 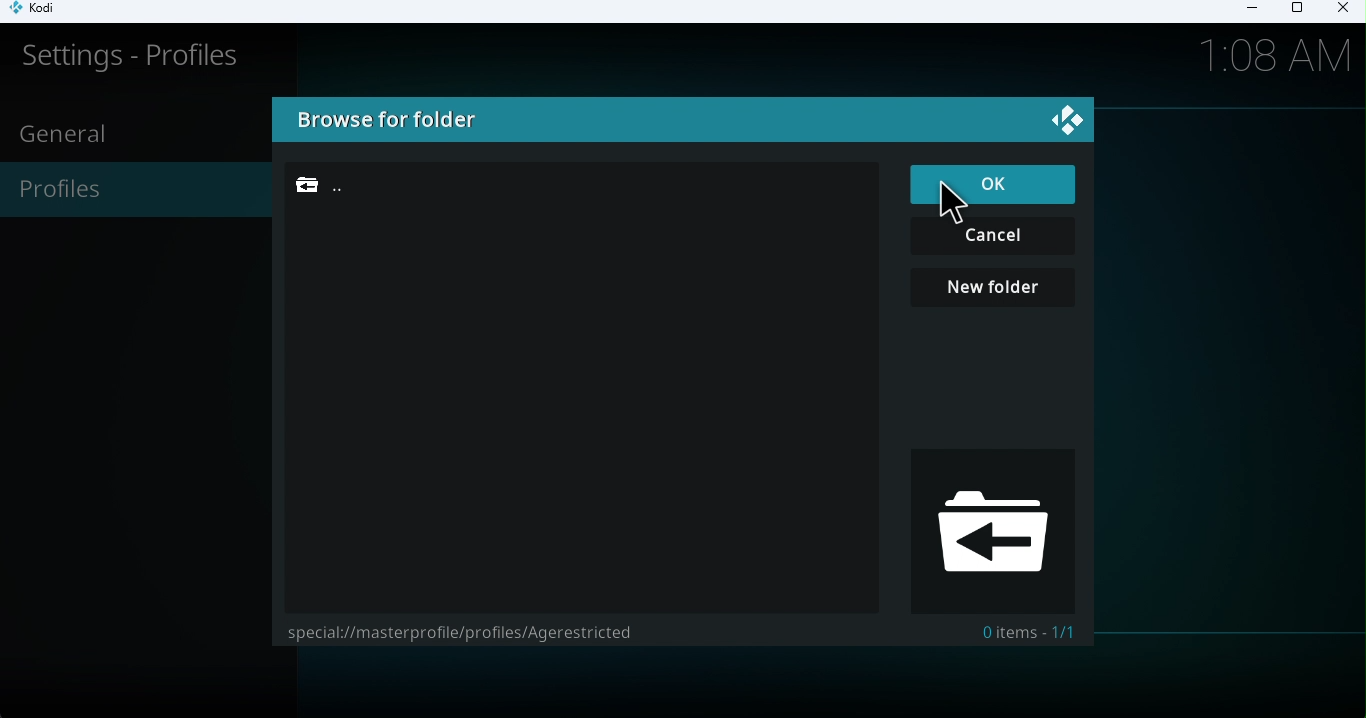 I want to click on Cancel, so click(x=990, y=239).